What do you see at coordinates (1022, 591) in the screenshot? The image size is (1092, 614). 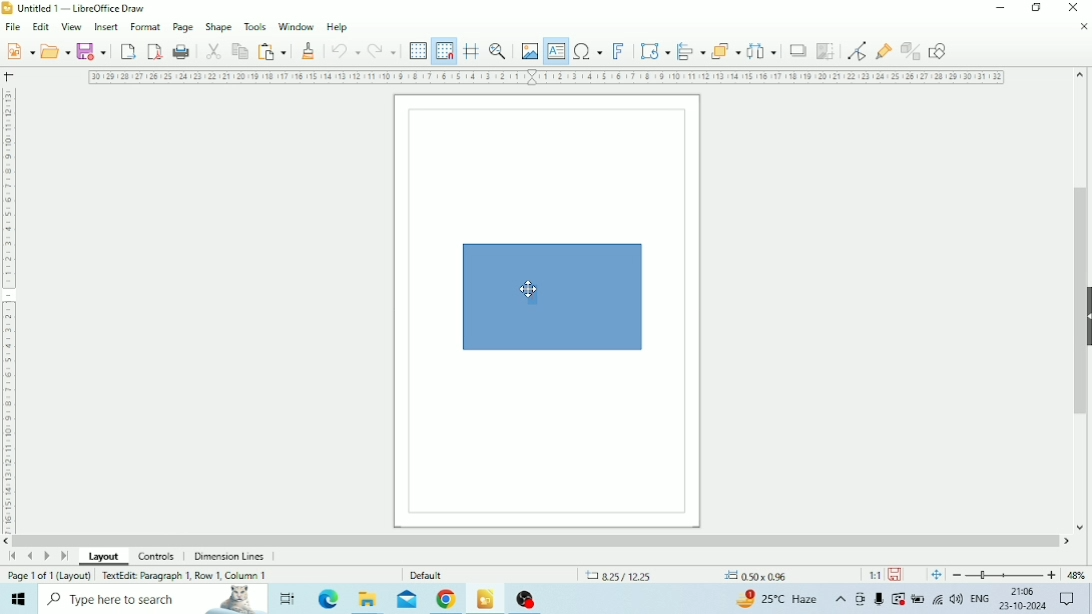 I see `Time` at bounding box center [1022, 591].